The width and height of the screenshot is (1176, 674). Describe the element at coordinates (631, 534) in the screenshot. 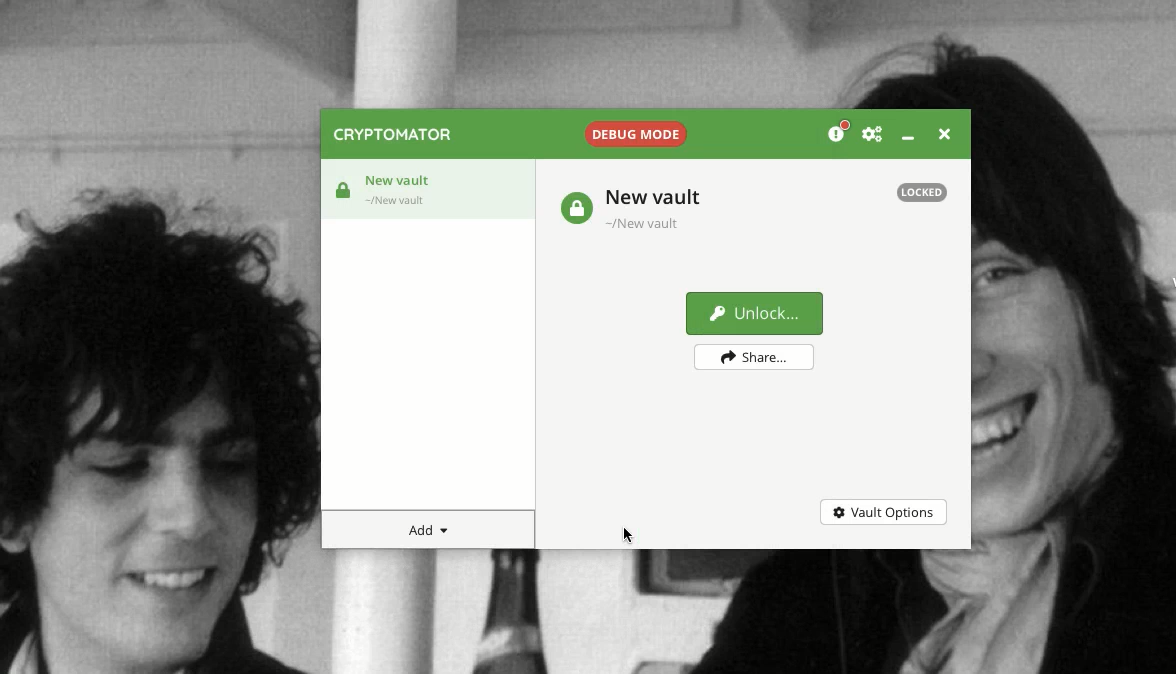

I see `Cursor` at that location.